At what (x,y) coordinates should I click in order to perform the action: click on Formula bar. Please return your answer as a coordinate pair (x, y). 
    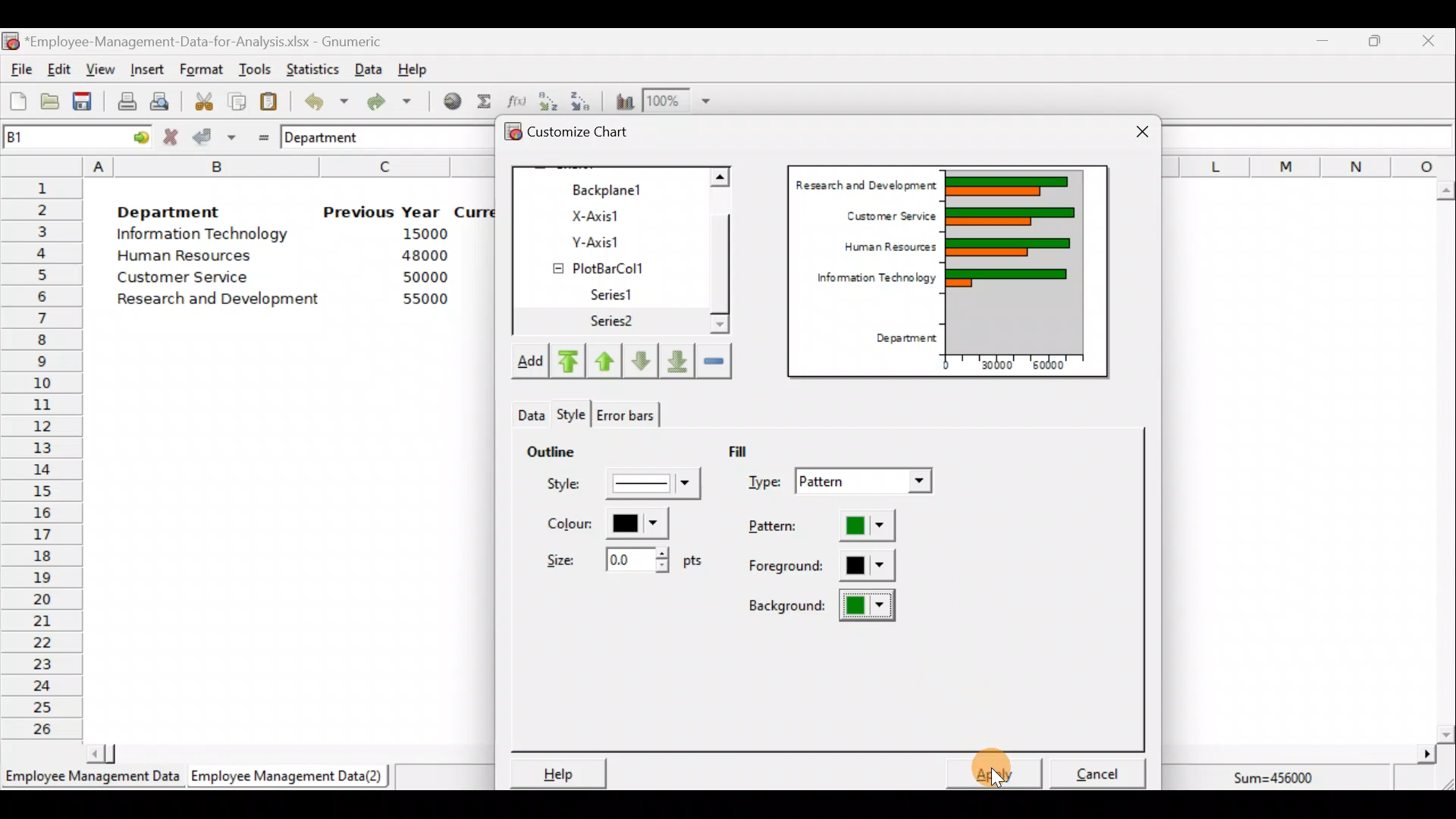
    Looking at the image, I should click on (1312, 136).